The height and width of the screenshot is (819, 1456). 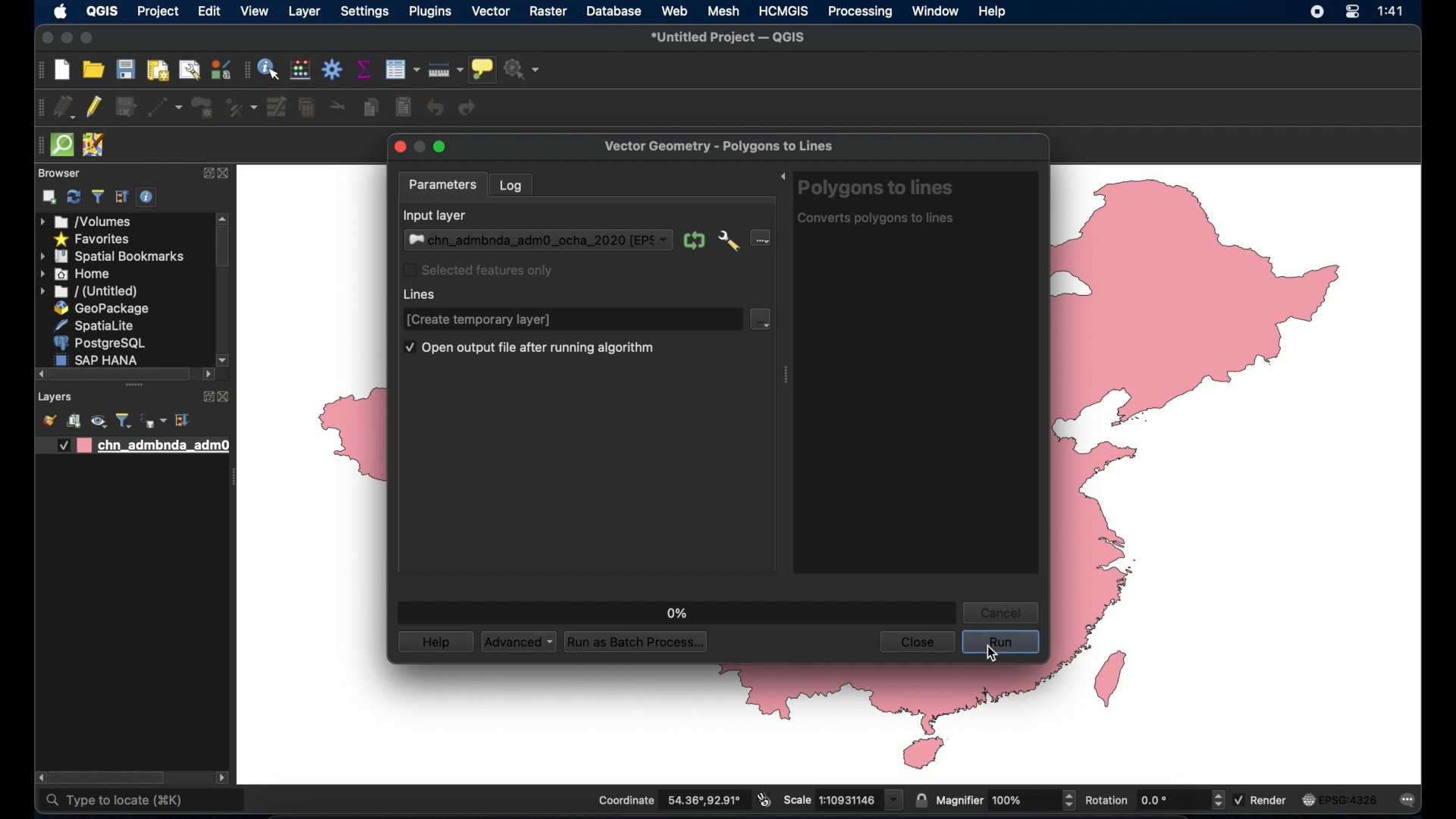 What do you see at coordinates (74, 420) in the screenshot?
I see `add group` at bounding box center [74, 420].